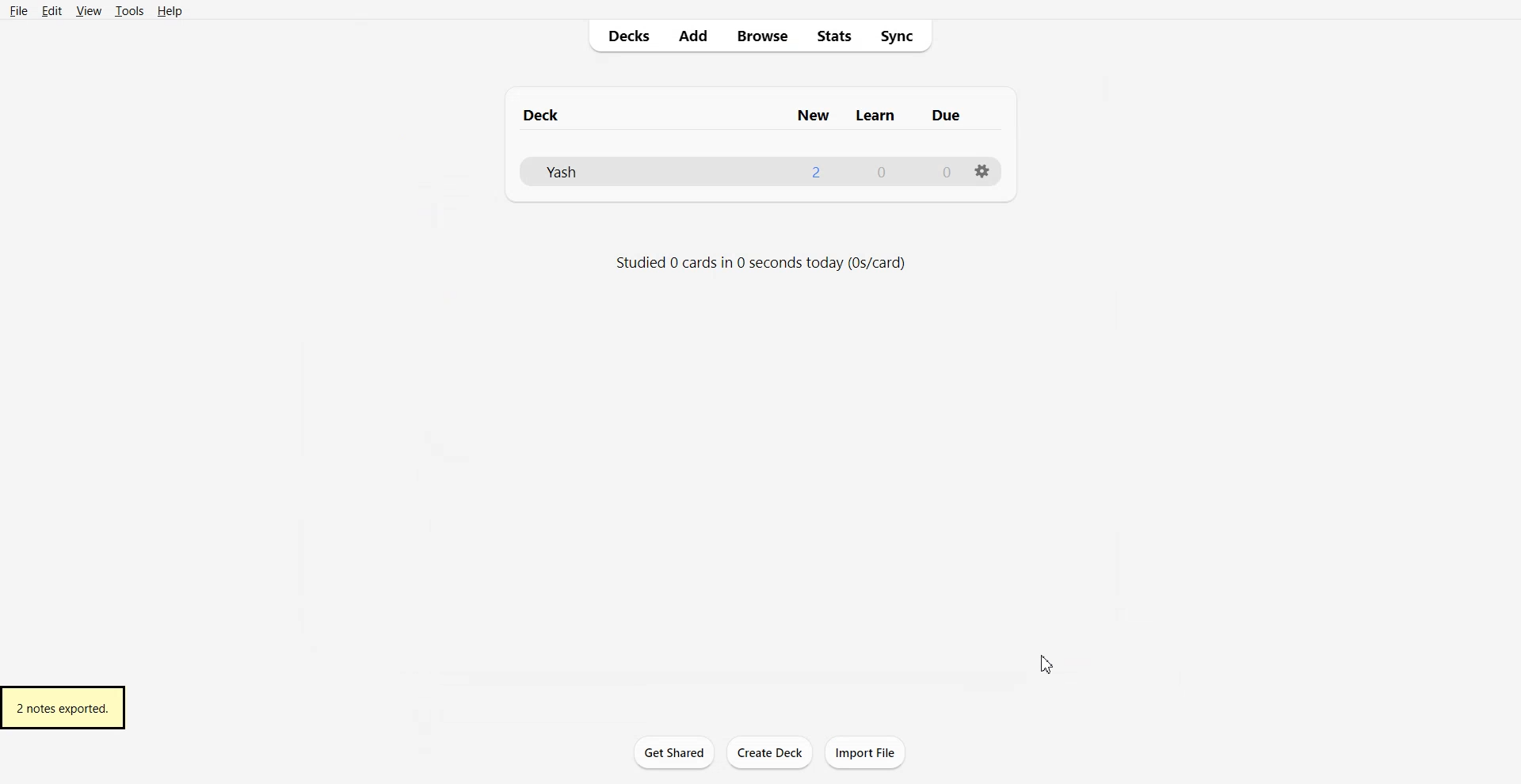  I want to click on Edit, so click(52, 10).